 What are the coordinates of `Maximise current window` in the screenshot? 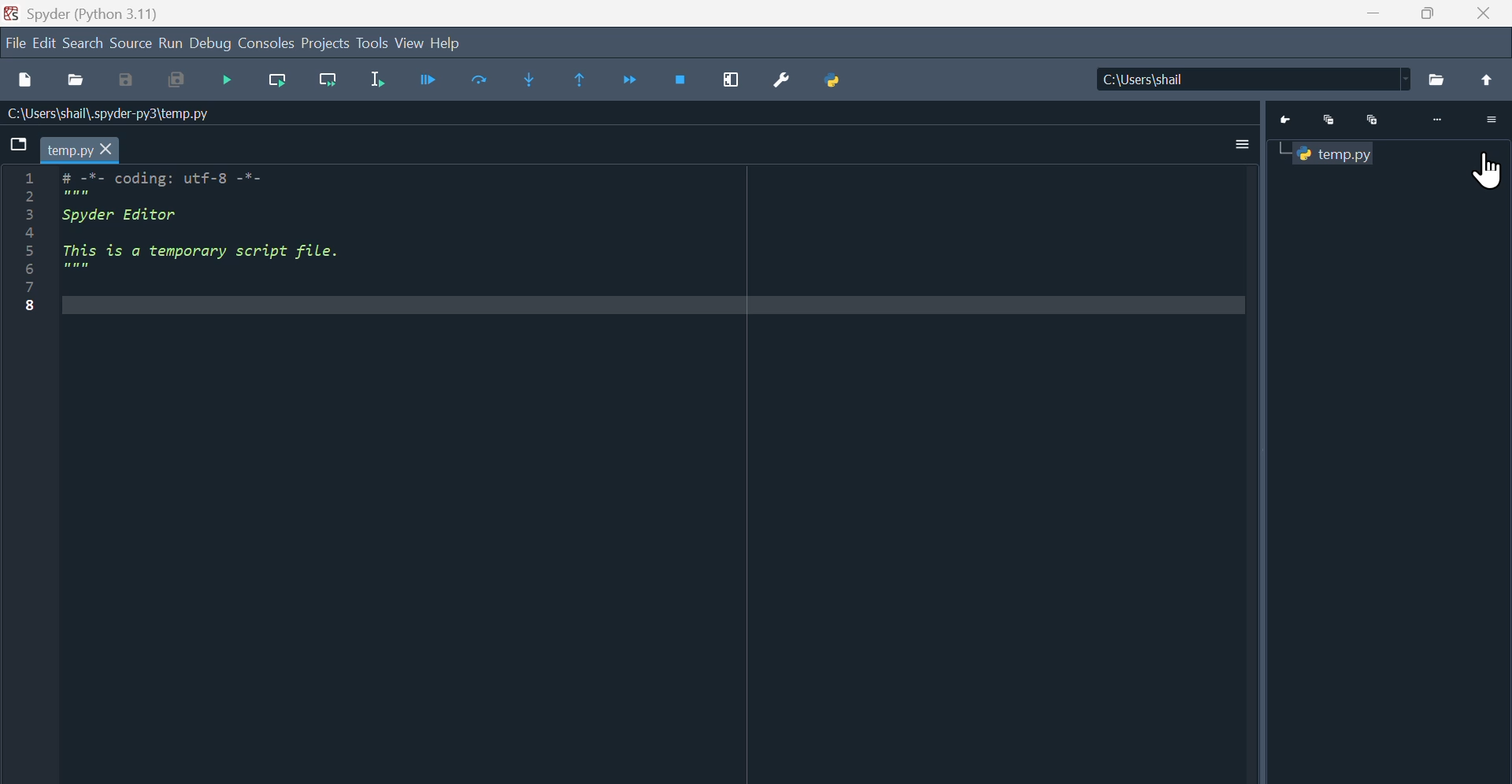 It's located at (733, 82).